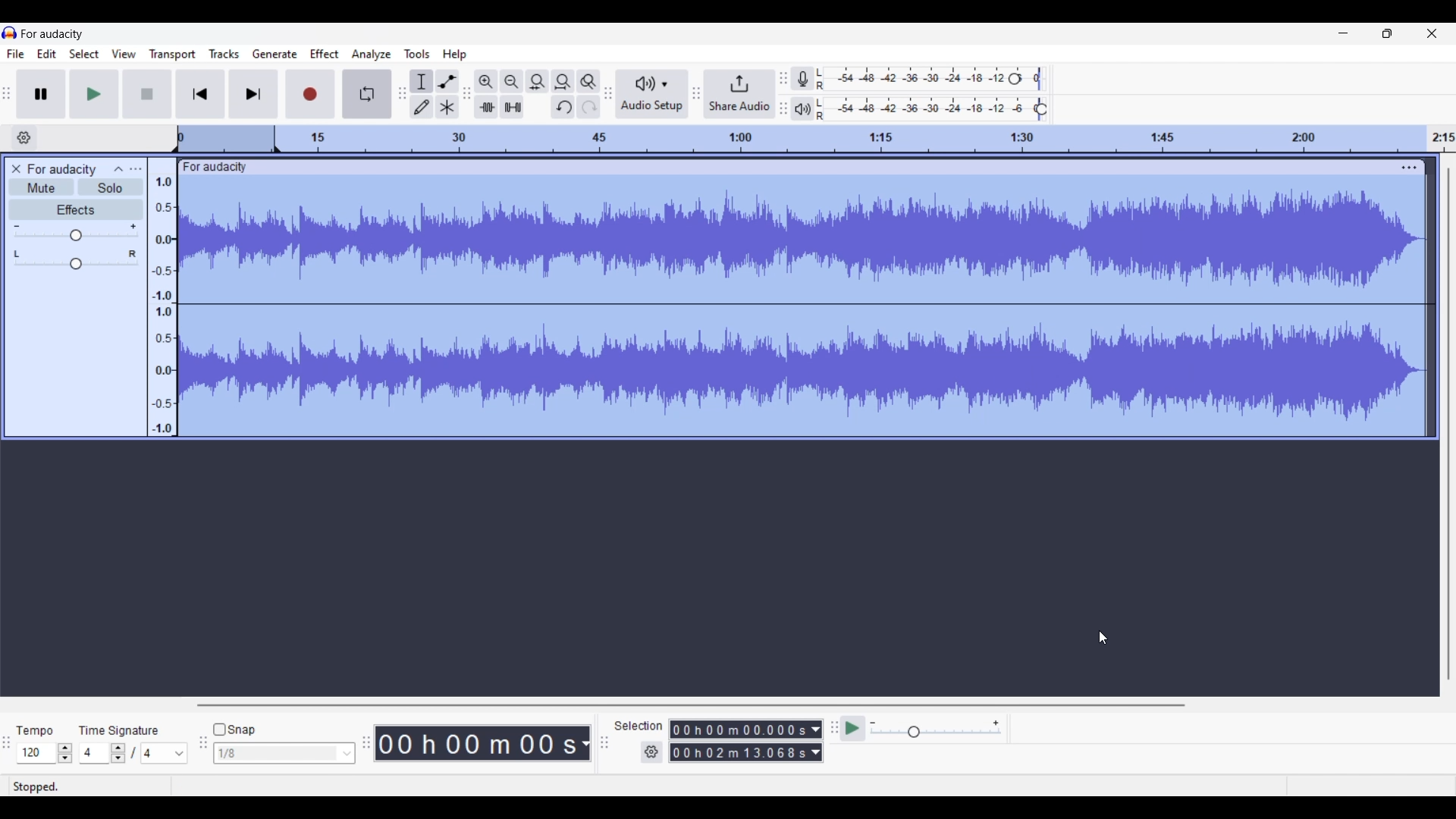 The image size is (1456, 819). Describe the element at coordinates (348, 754) in the screenshot. I see `Snap option` at that location.